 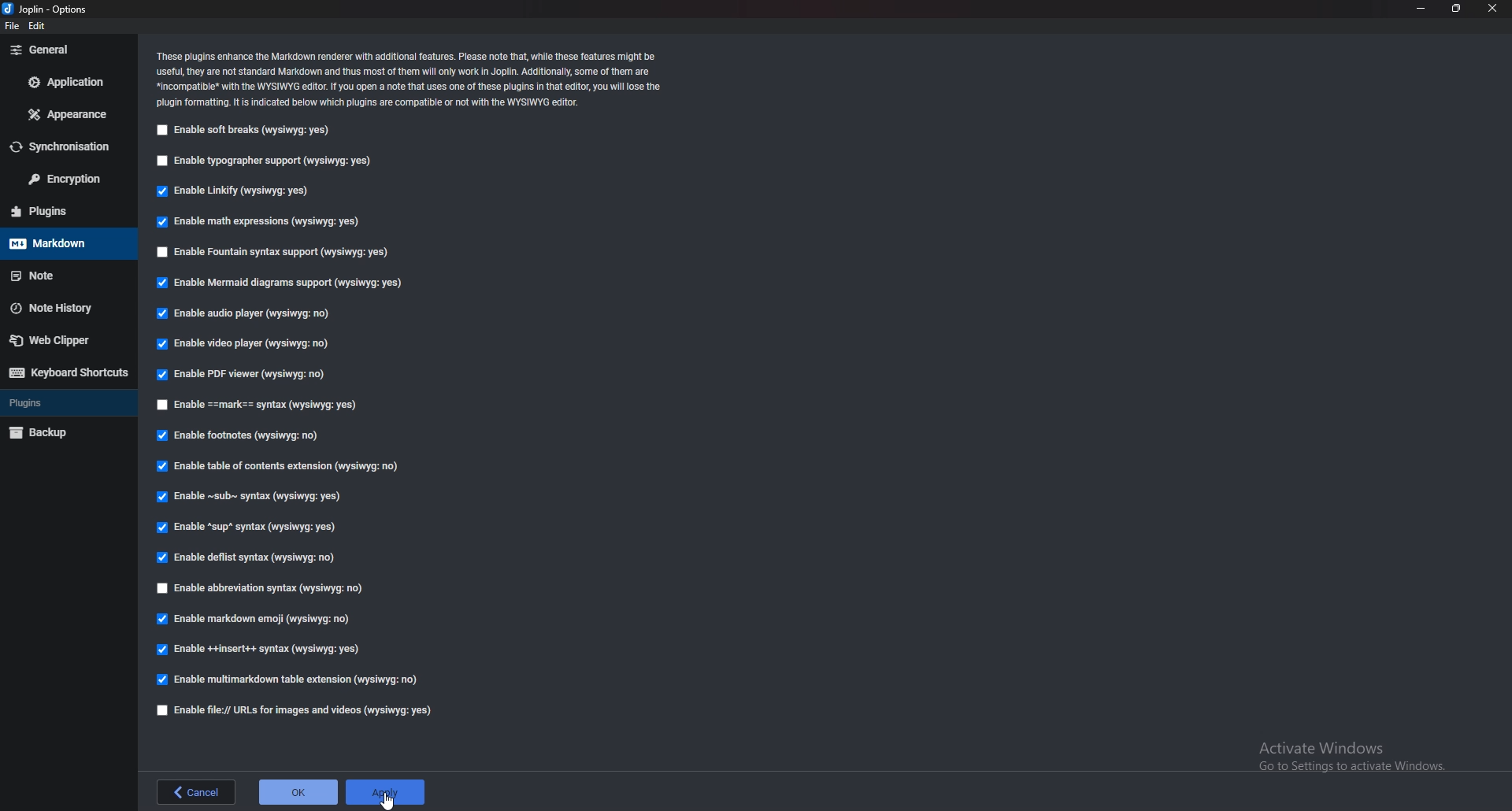 I want to click on cursor, so click(x=390, y=799).